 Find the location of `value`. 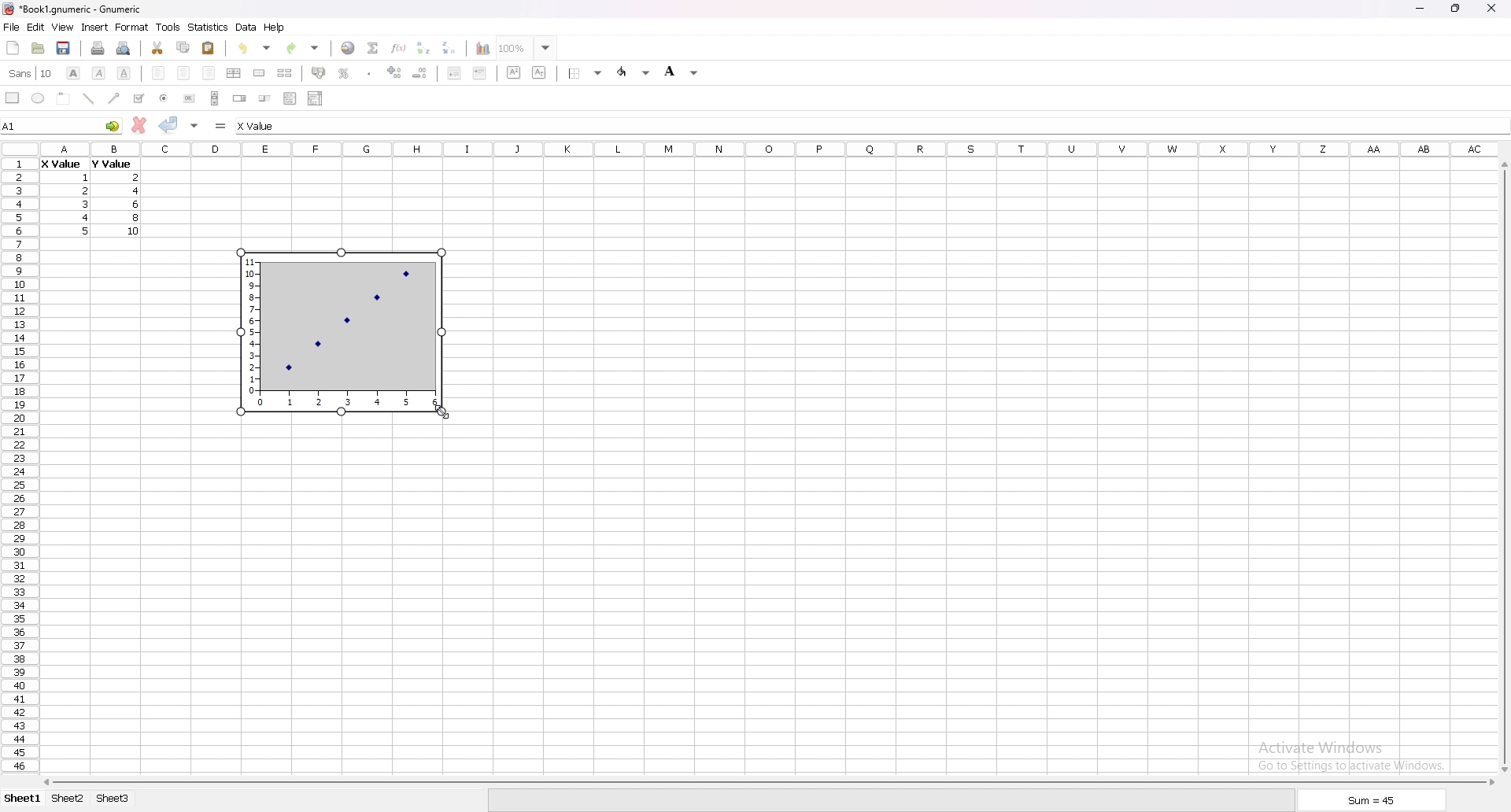

value is located at coordinates (84, 190).